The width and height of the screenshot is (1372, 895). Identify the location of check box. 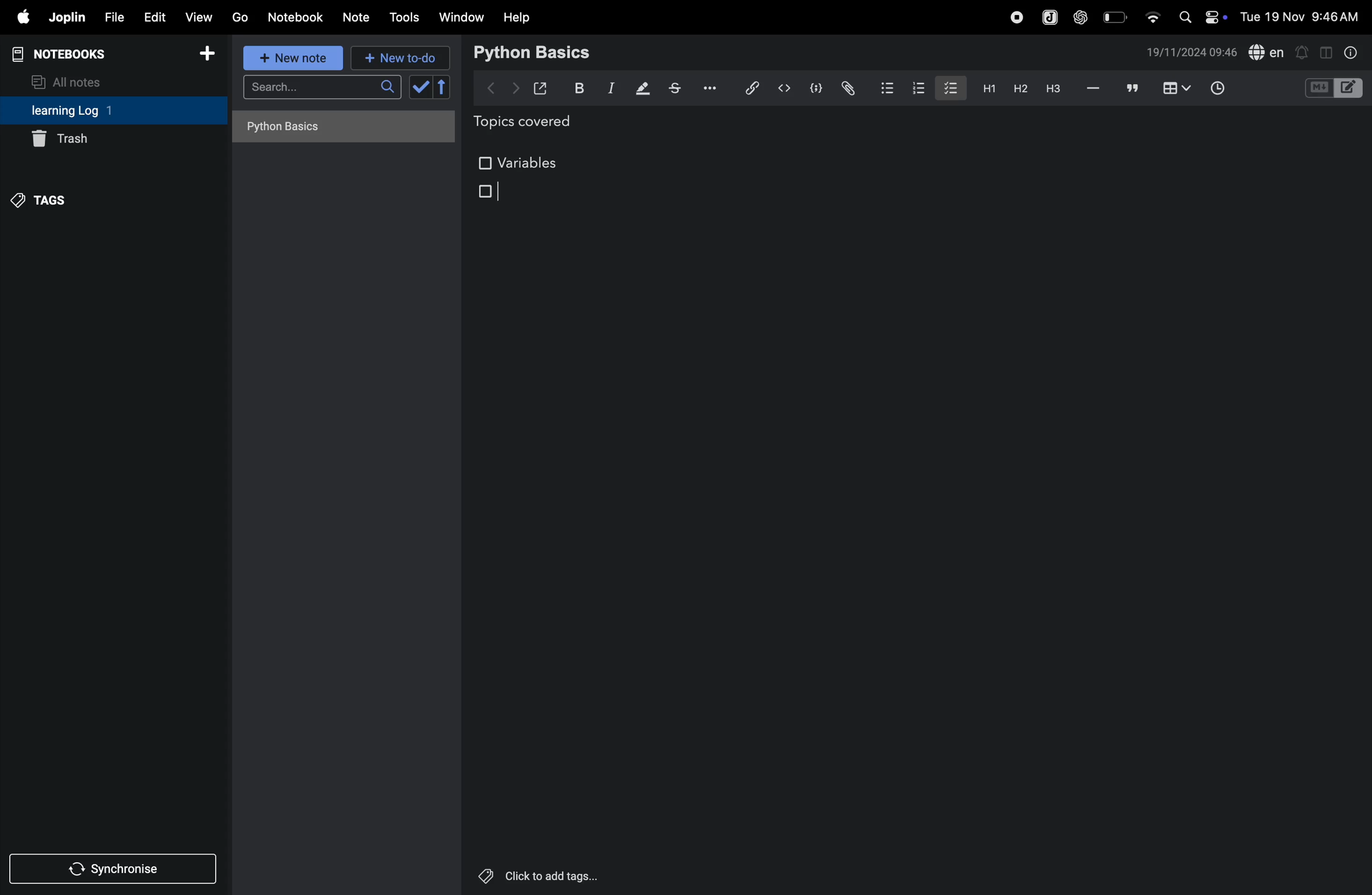
(432, 87).